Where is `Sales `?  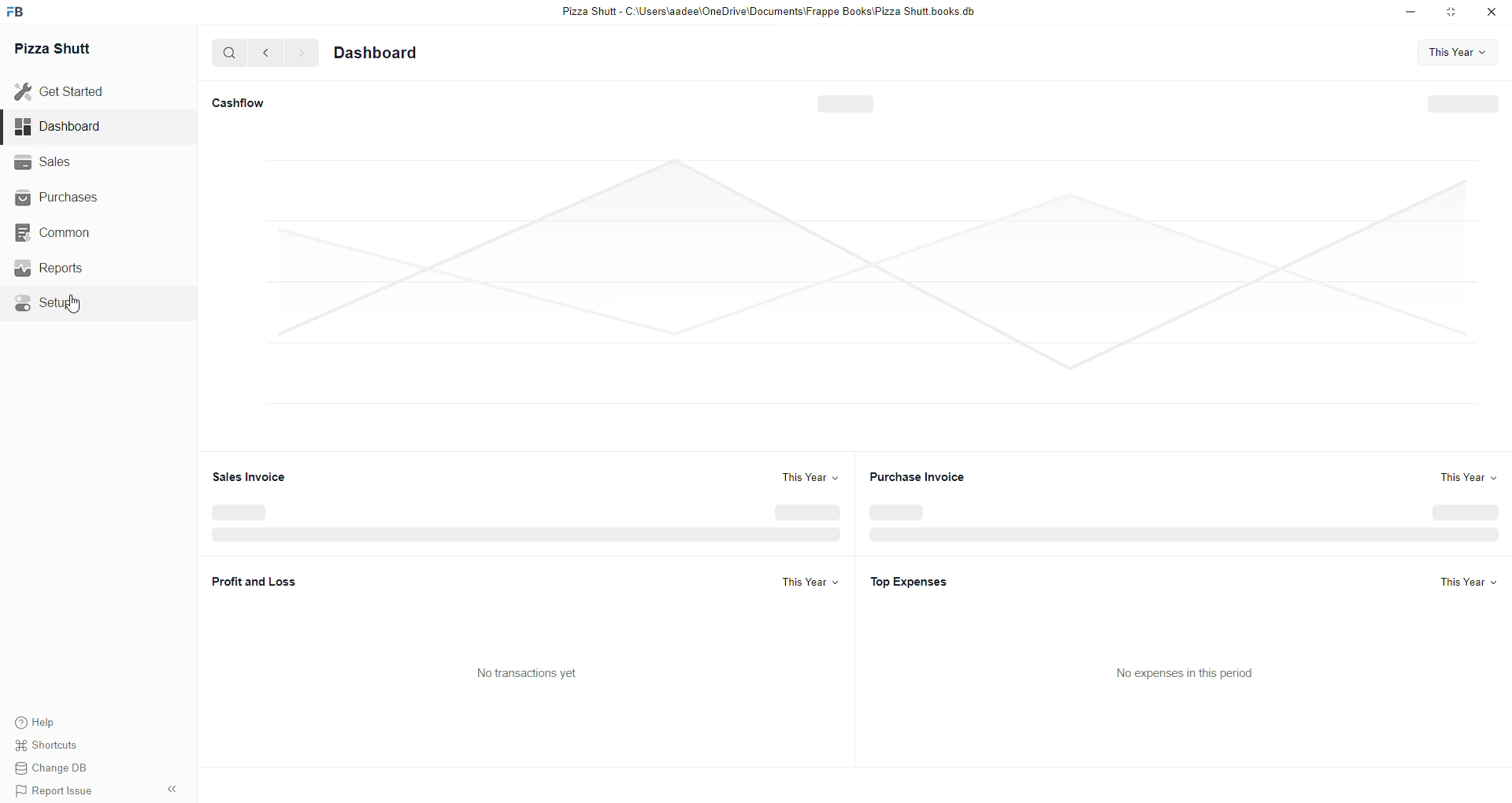 Sales  is located at coordinates (68, 163).